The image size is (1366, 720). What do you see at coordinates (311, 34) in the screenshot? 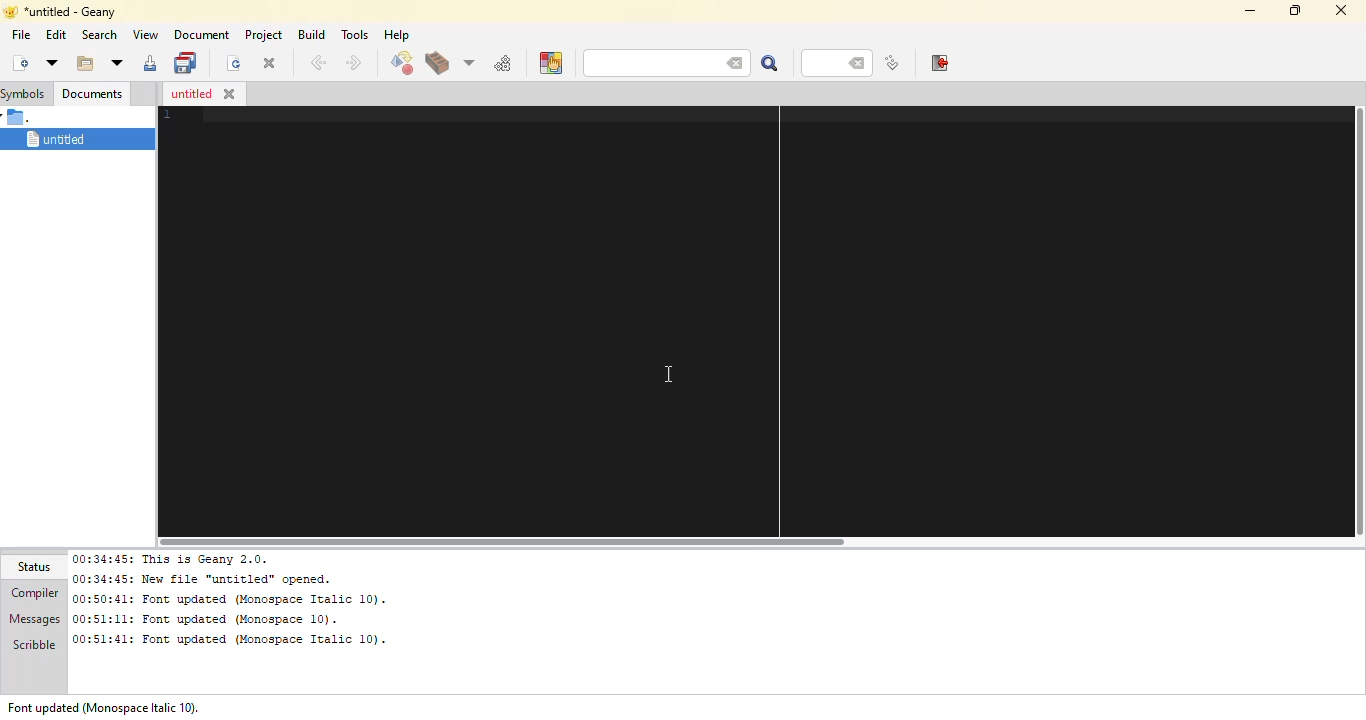
I see `build` at bounding box center [311, 34].